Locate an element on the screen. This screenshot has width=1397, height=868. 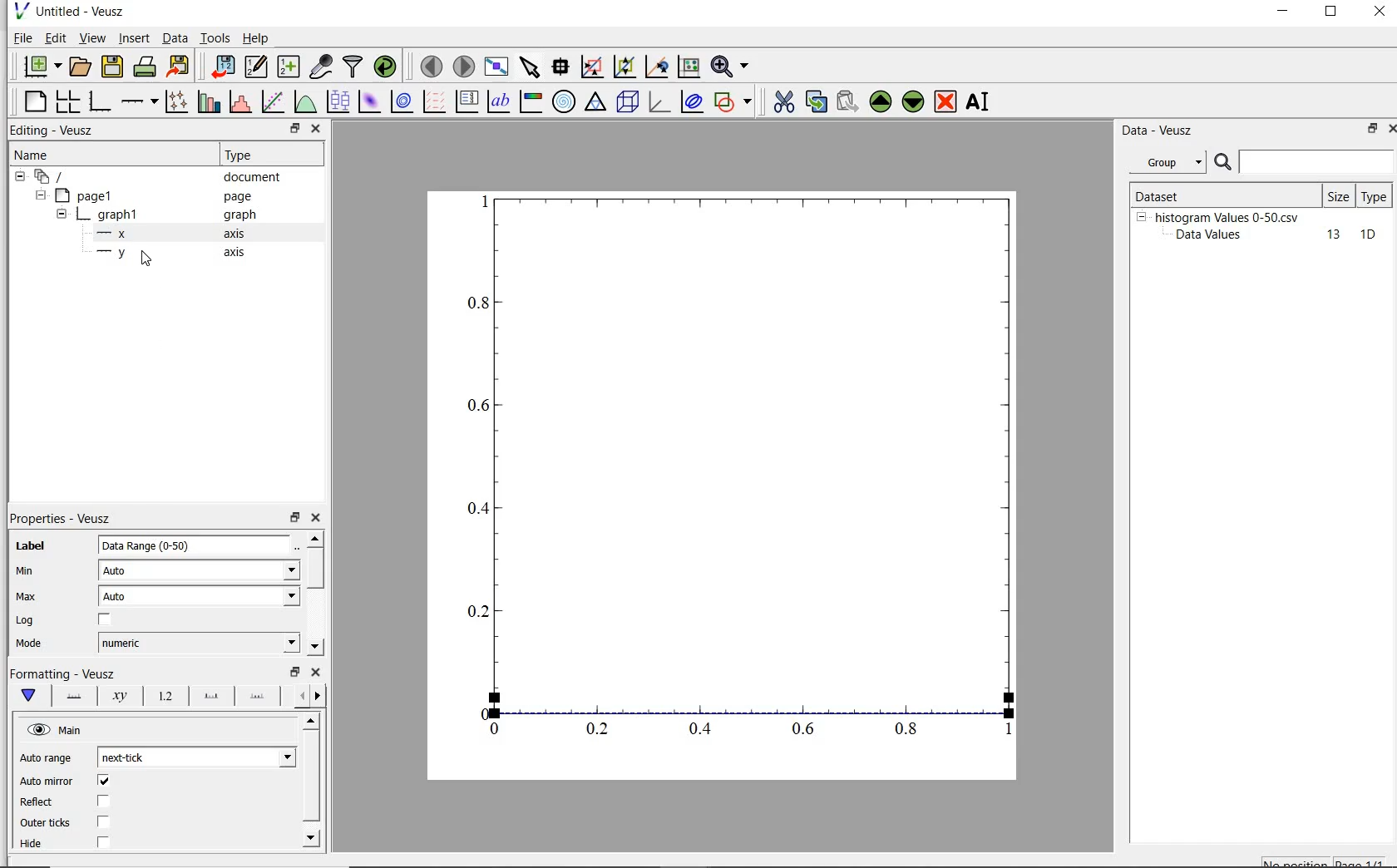
hide is located at coordinates (20, 177).